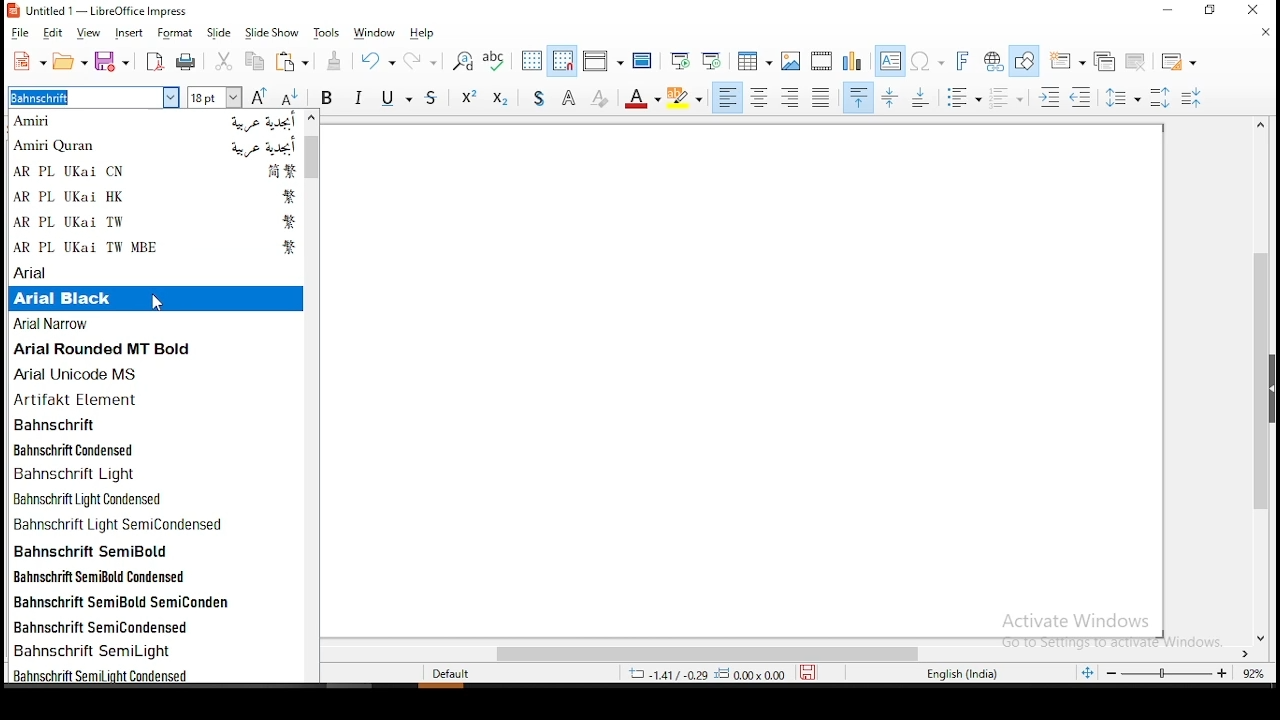 Image resolution: width=1280 pixels, height=720 pixels. I want to click on master slide, so click(642, 61).